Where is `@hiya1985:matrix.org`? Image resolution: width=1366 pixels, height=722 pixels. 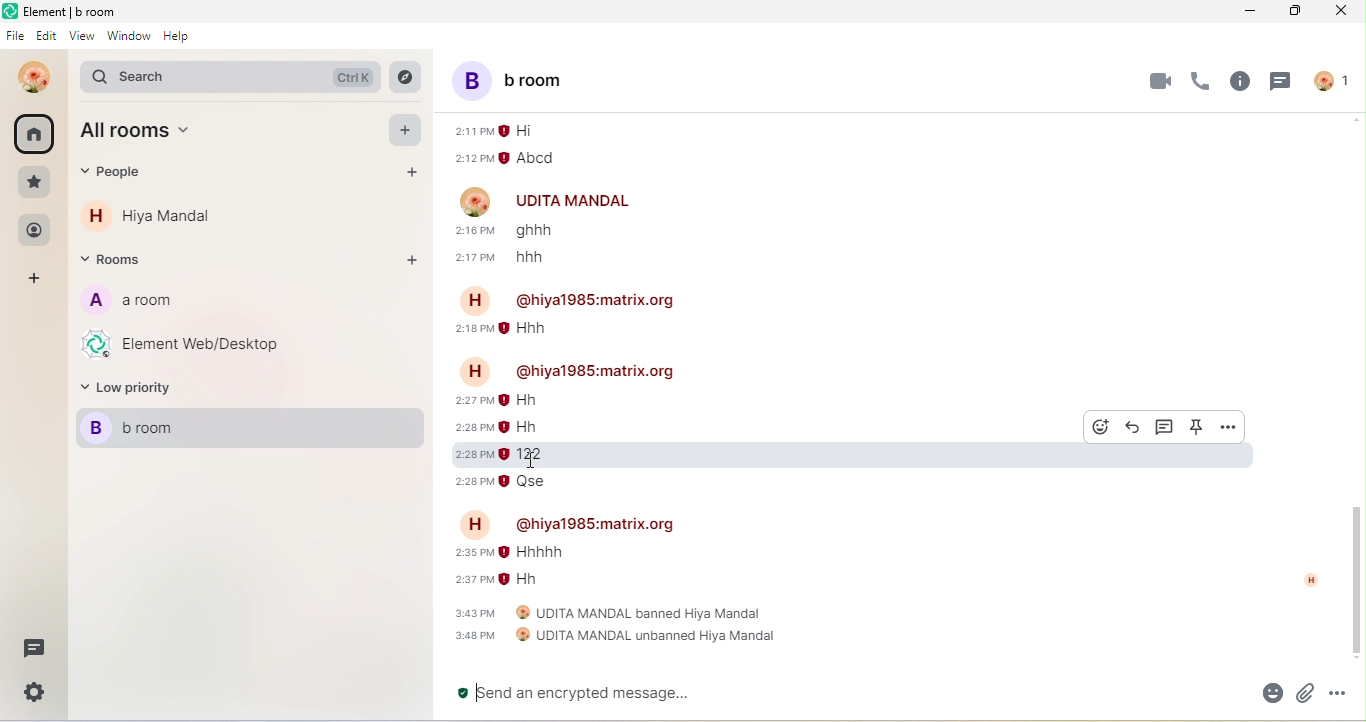 @hiya1985:matrix.org is located at coordinates (596, 300).